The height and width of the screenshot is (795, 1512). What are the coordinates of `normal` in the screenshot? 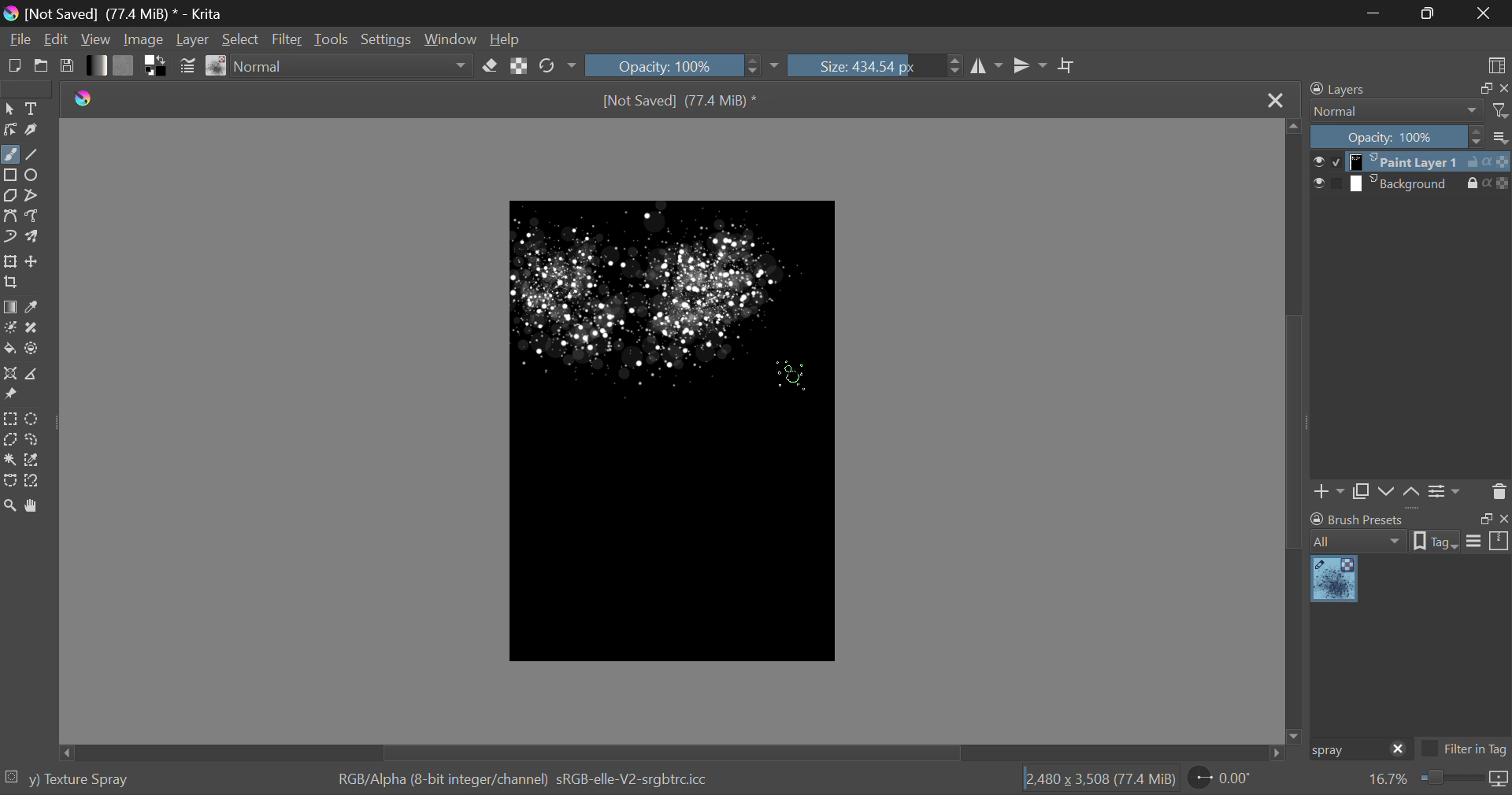 It's located at (1397, 111).